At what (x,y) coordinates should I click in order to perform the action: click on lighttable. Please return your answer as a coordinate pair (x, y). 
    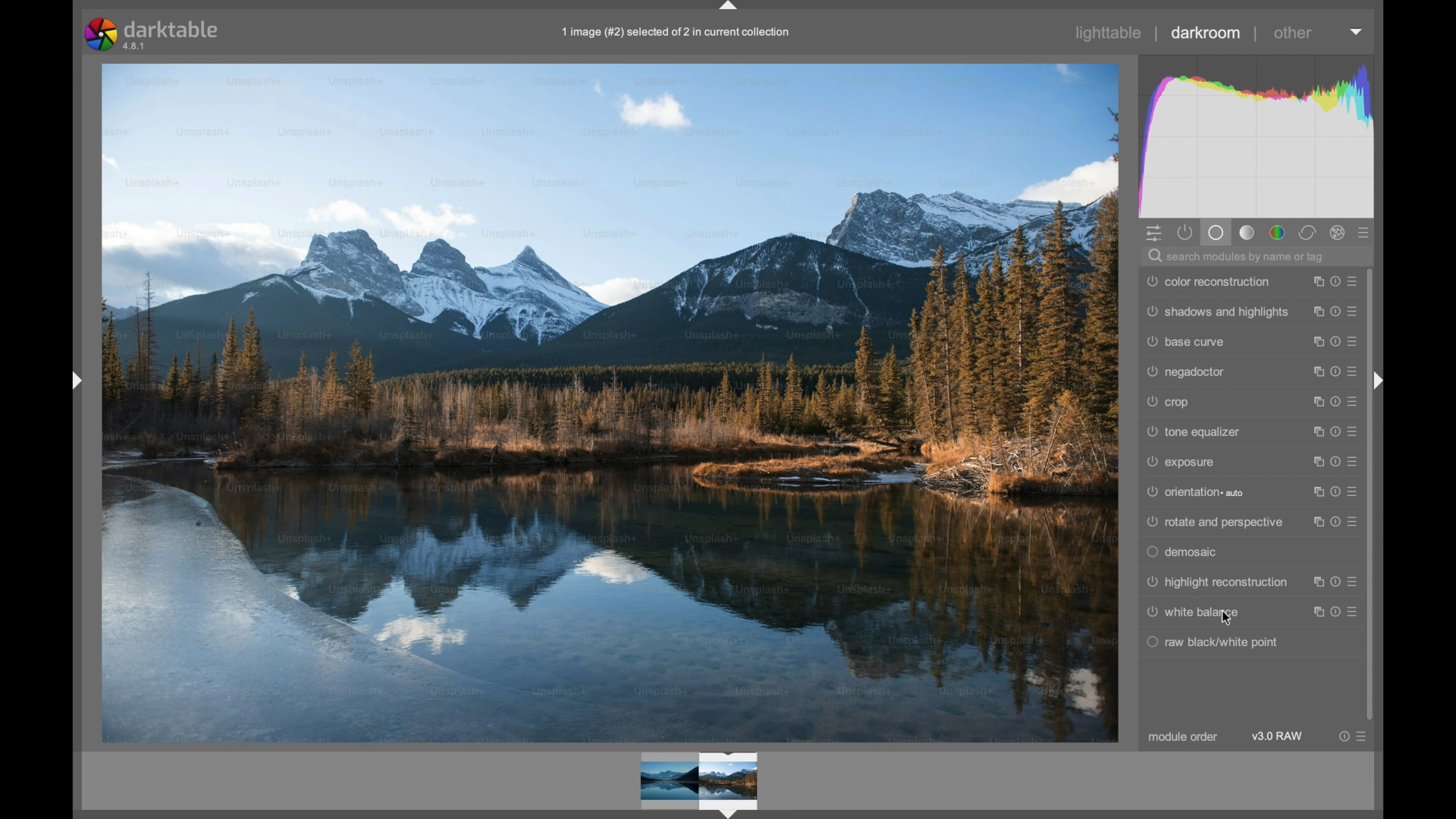
    Looking at the image, I should click on (1109, 33).